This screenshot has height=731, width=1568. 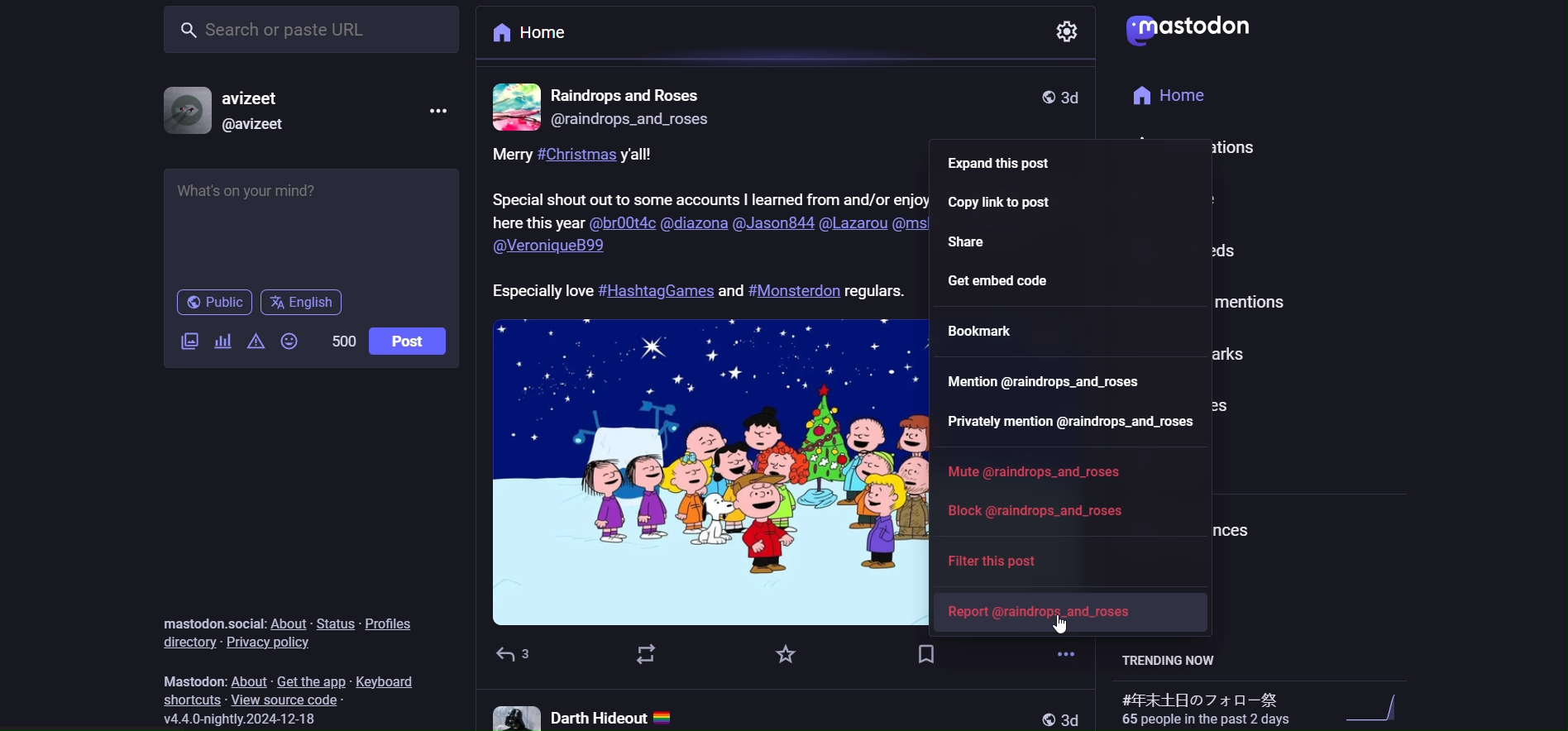 What do you see at coordinates (248, 680) in the screenshot?
I see `about` at bounding box center [248, 680].